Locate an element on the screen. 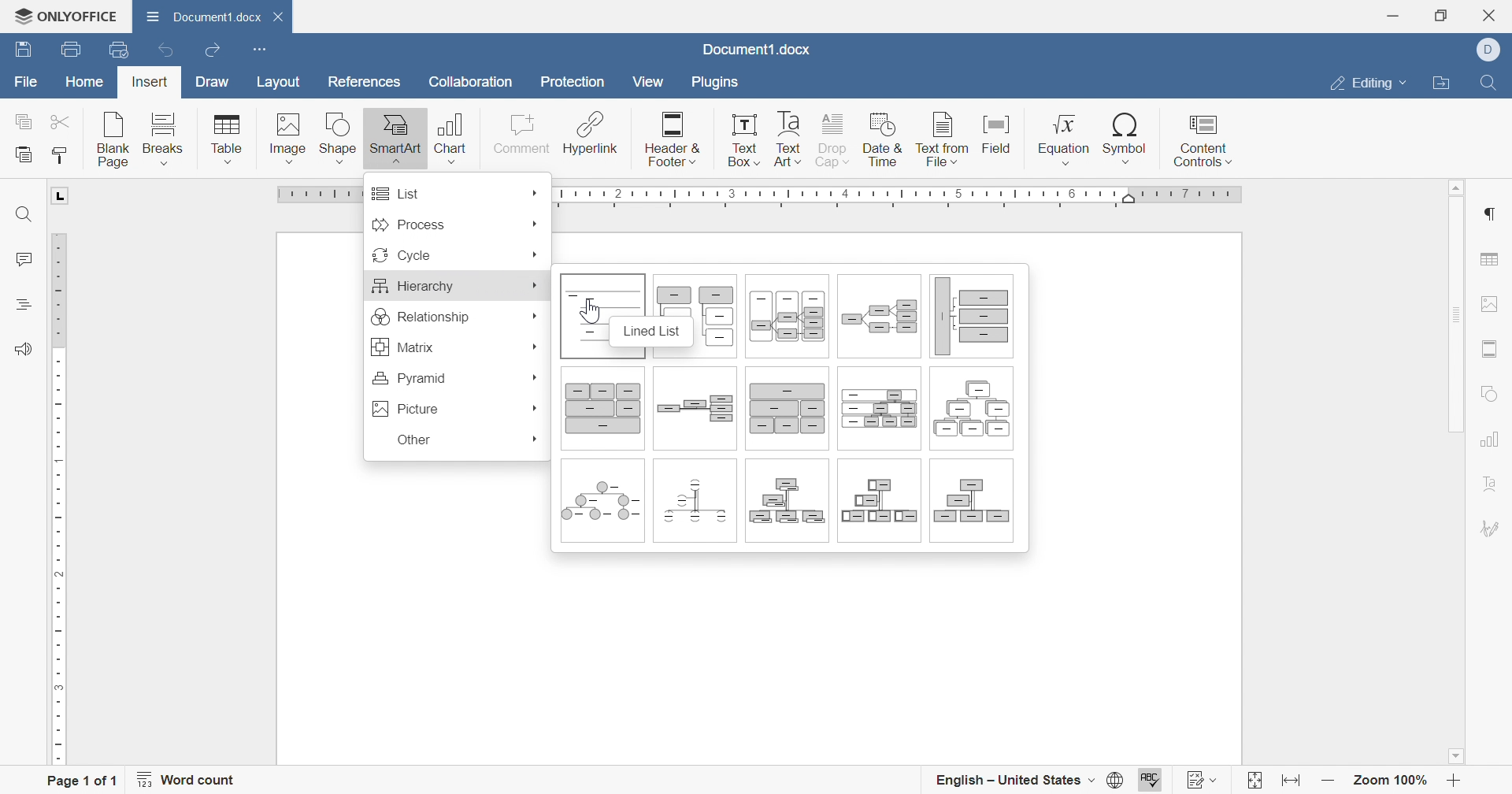 Image resolution: width=1512 pixels, height=794 pixels. Spell checking is located at coordinates (1151, 778).